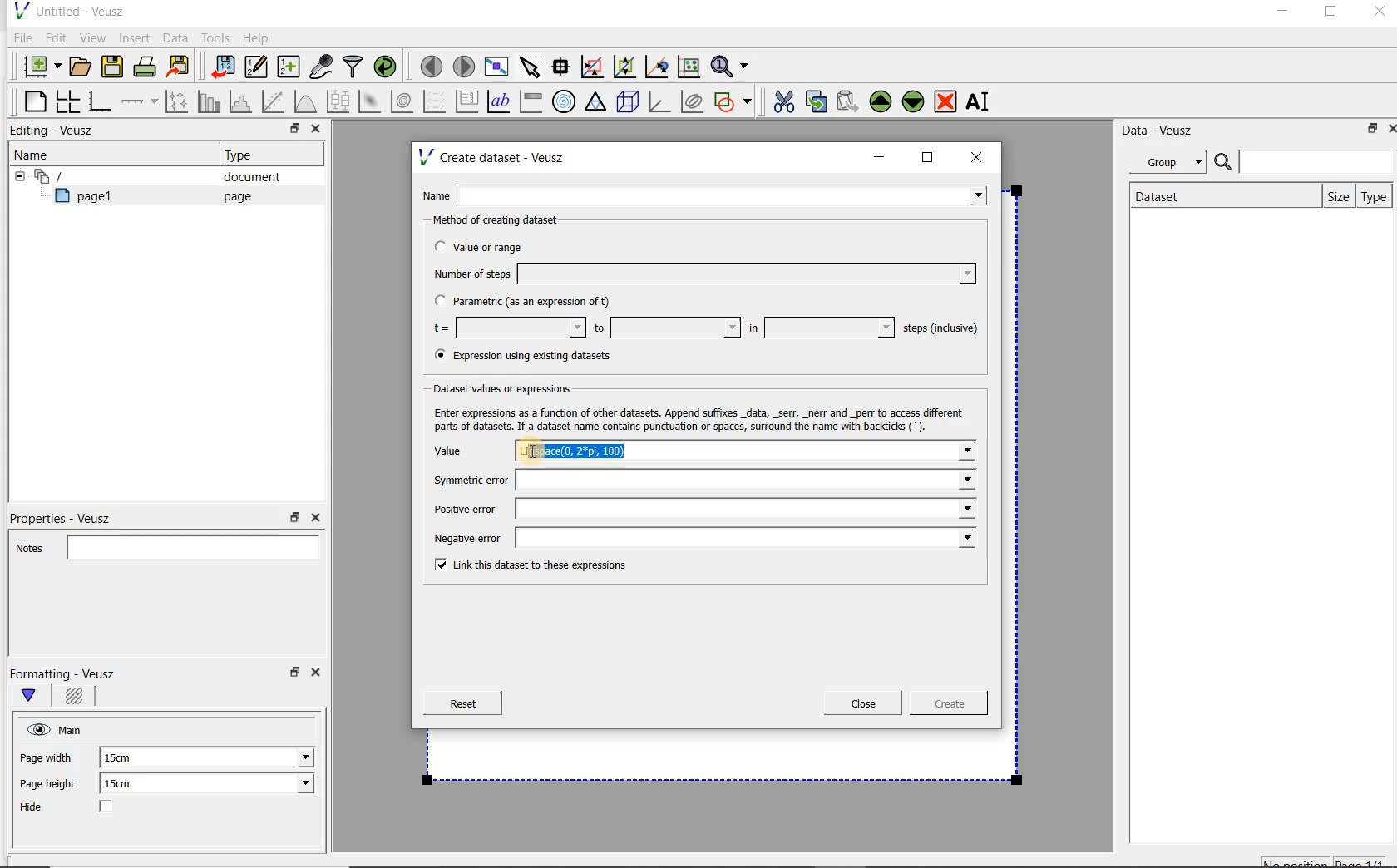  I want to click on capture remote data, so click(322, 69).